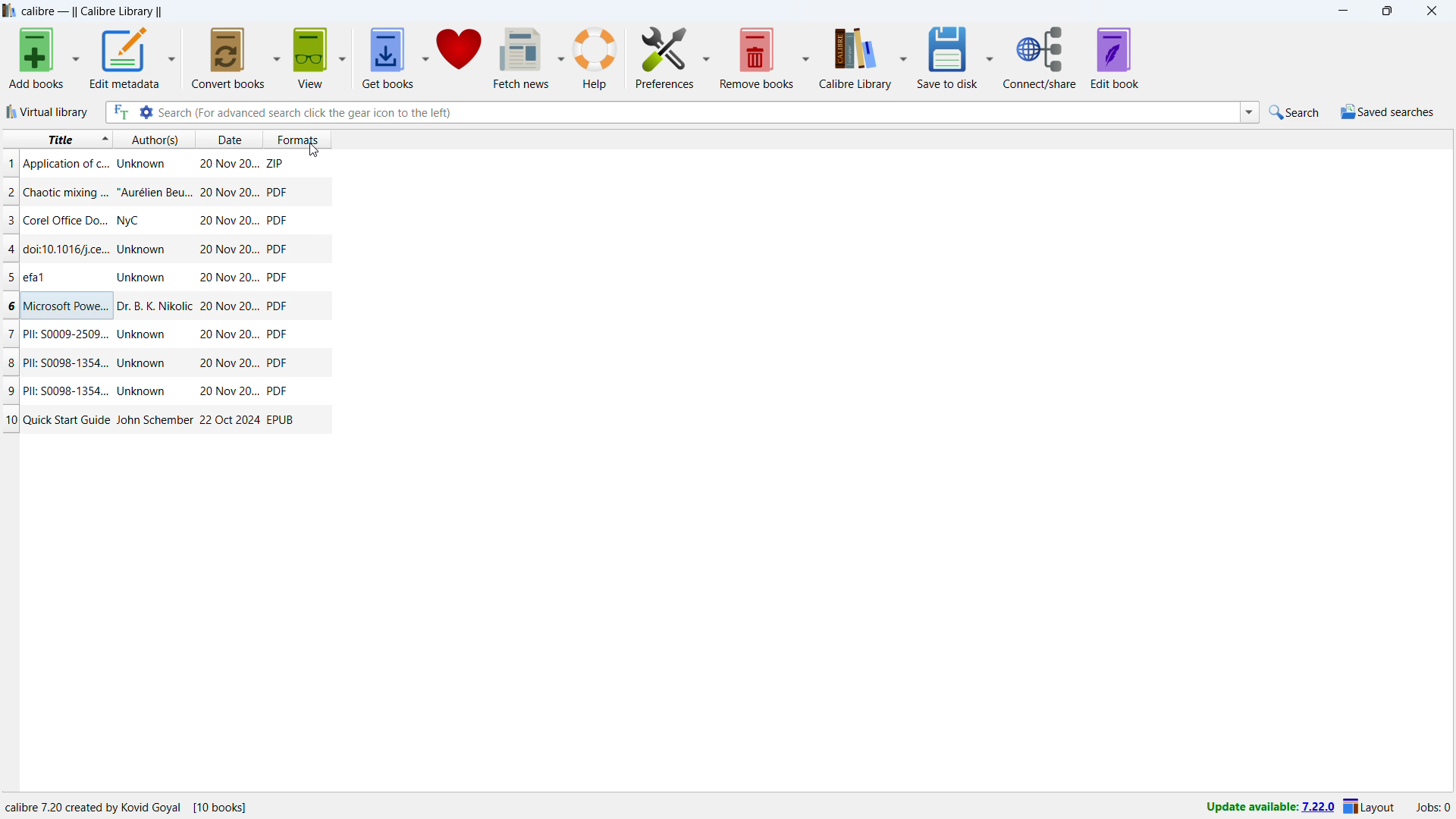  What do you see at coordinates (855, 58) in the screenshot?
I see `calibre library` at bounding box center [855, 58].